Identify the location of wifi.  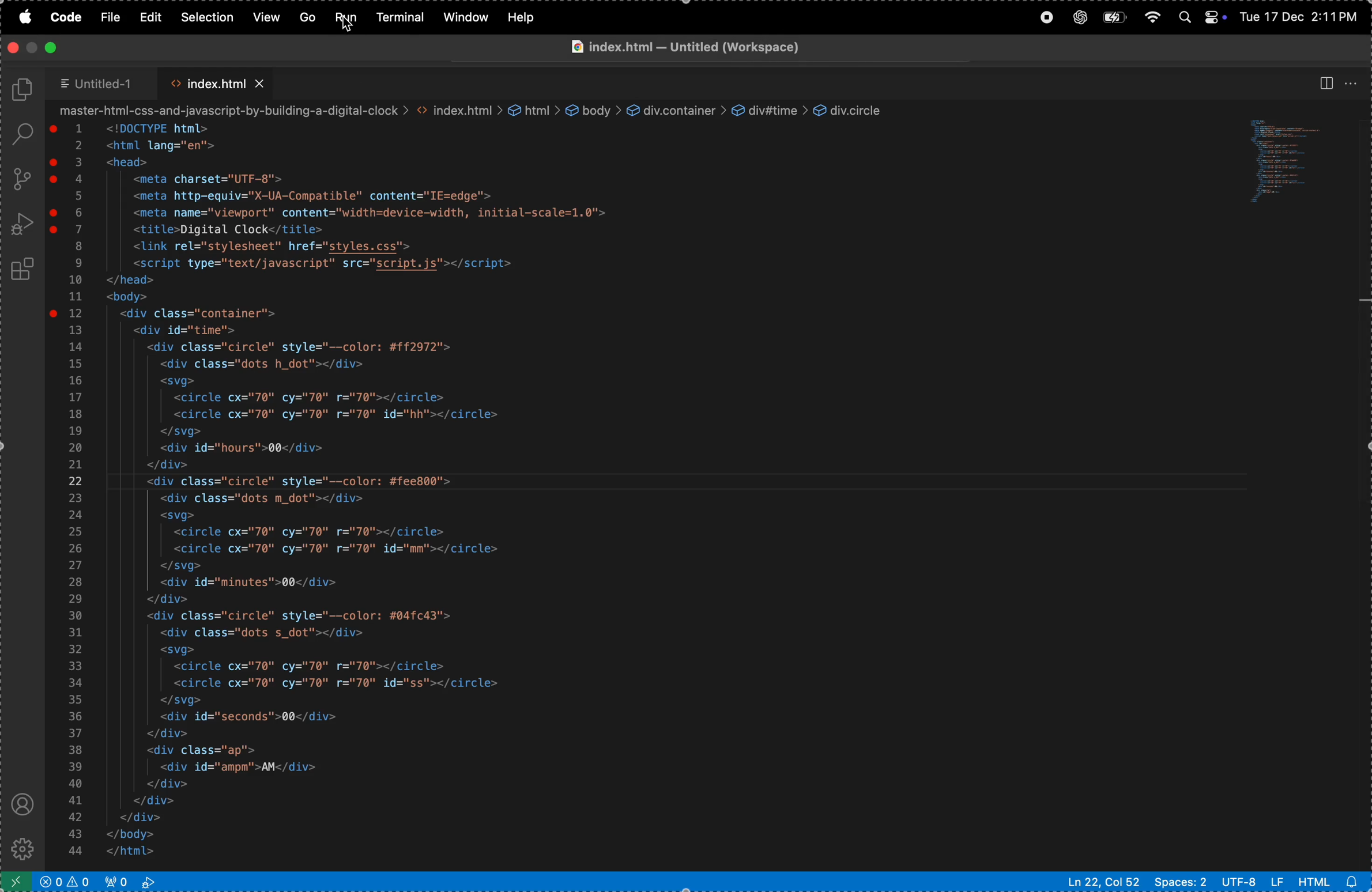
(1150, 14).